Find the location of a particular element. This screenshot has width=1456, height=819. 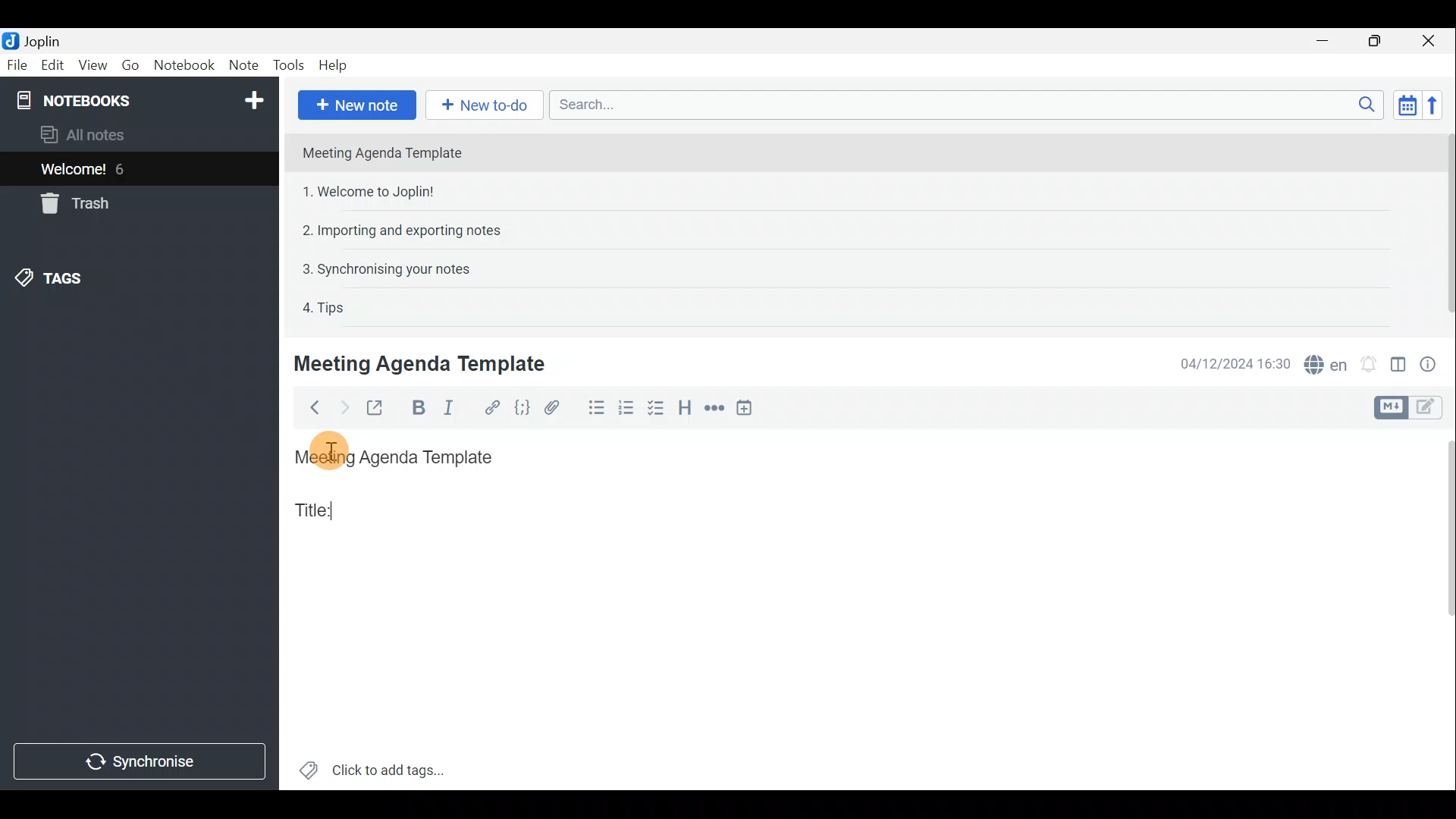

Trash is located at coordinates (72, 203).